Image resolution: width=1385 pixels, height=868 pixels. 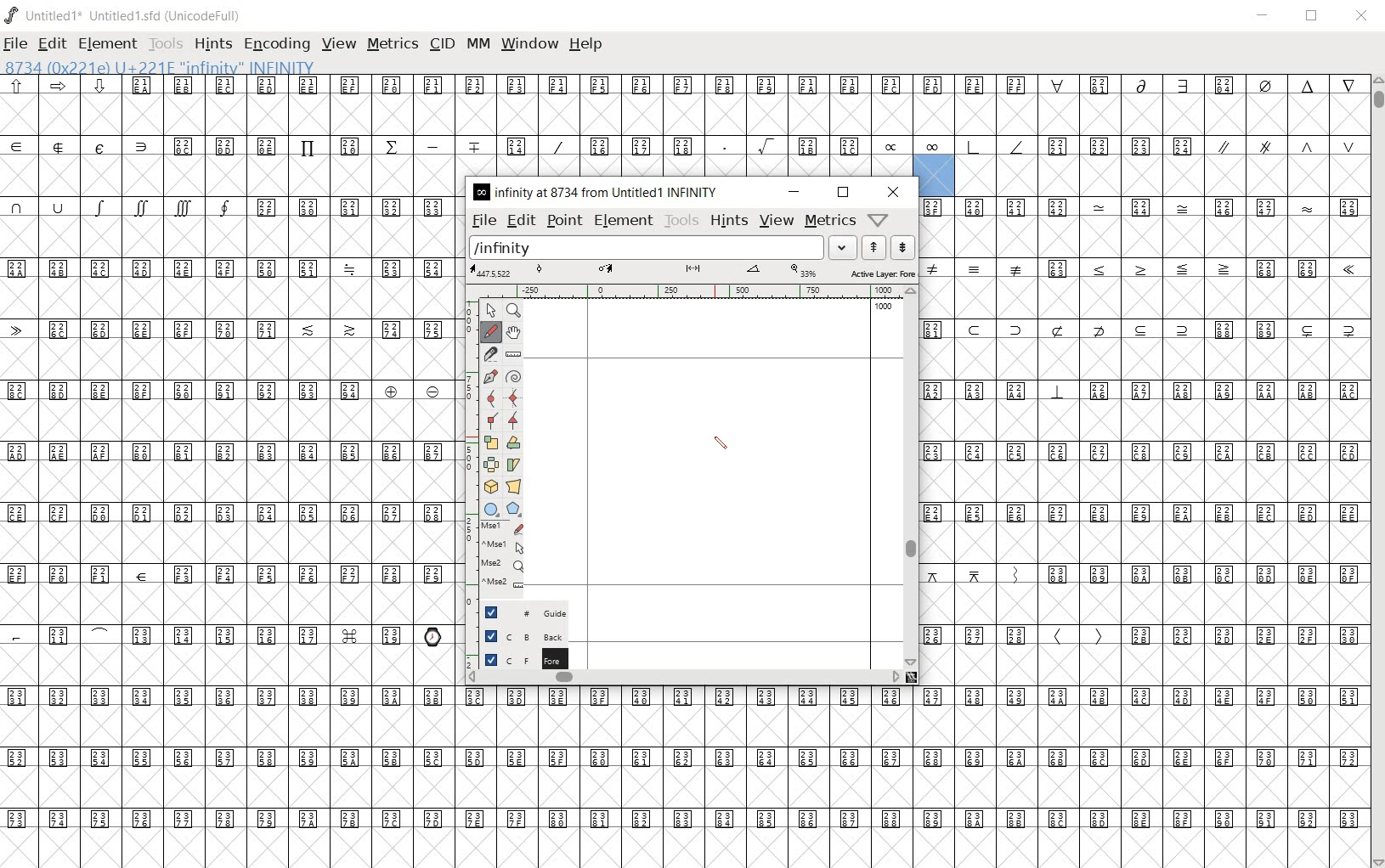 I want to click on view, so click(x=341, y=43).